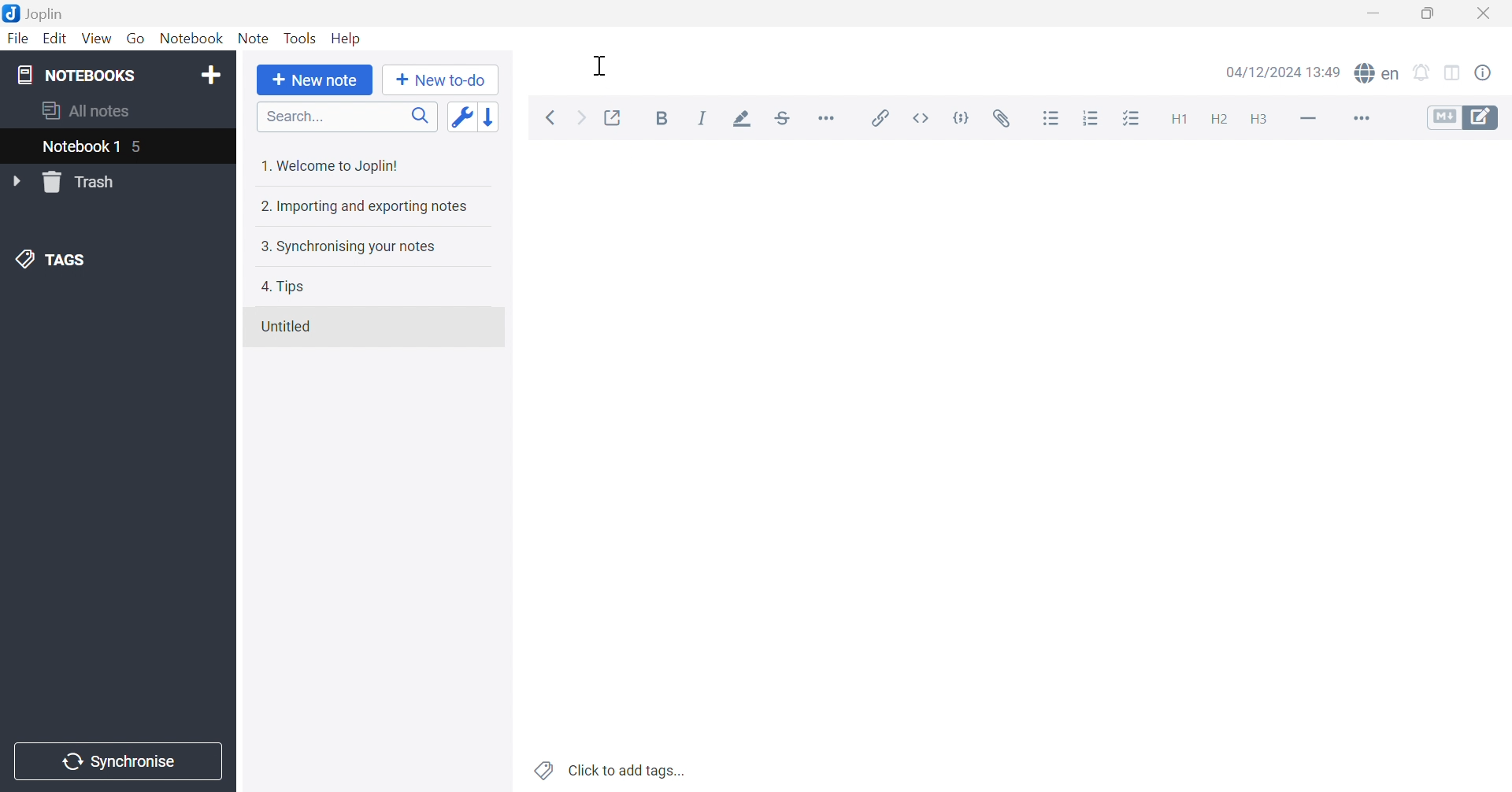 This screenshot has height=792, width=1512. What do you see at coordinates (1359, 117) in the screenshot?
I see `More` at bounding box center [1359, 117].